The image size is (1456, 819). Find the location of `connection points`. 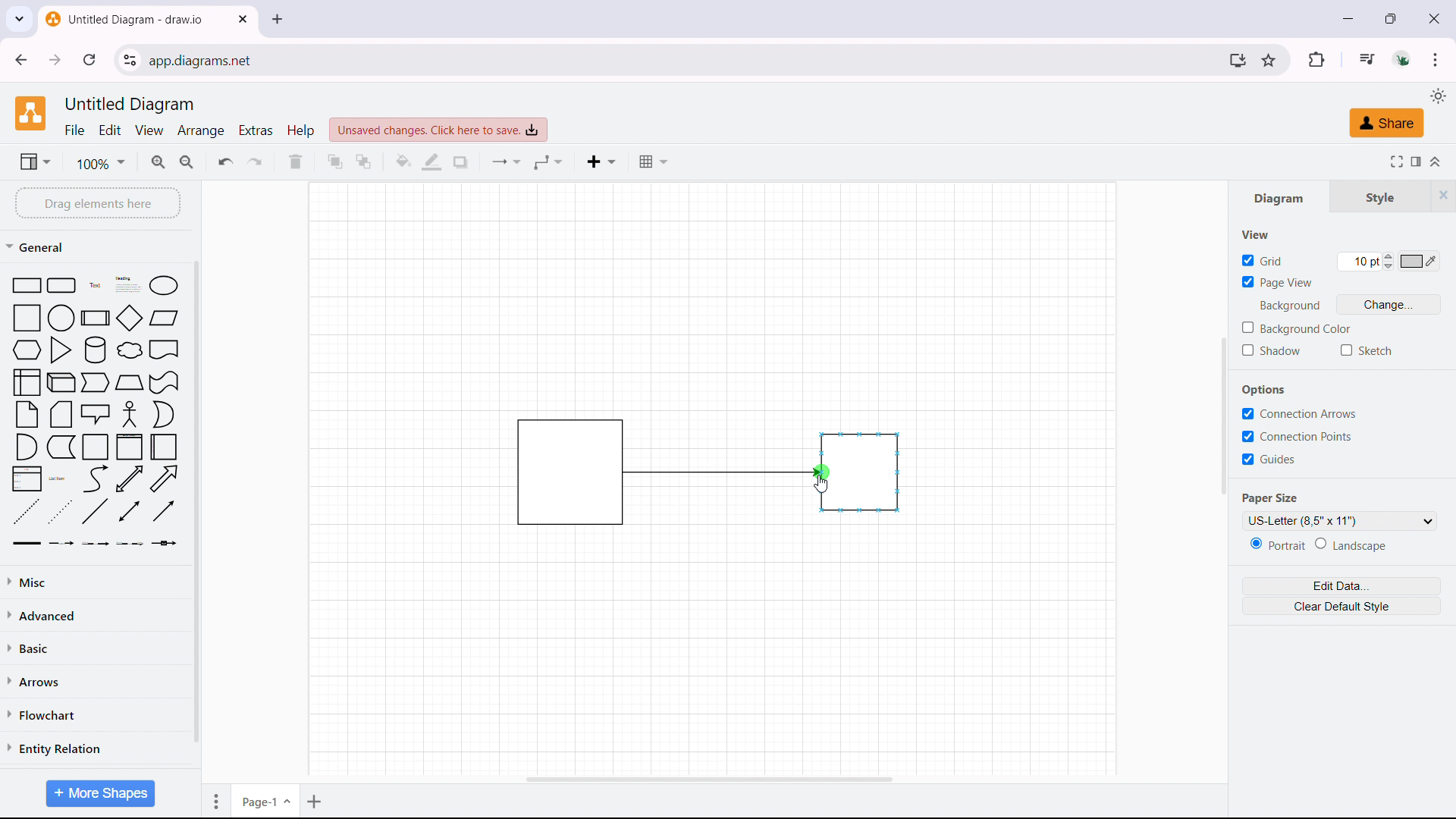

connection points is located at coordinates (1296, 436).